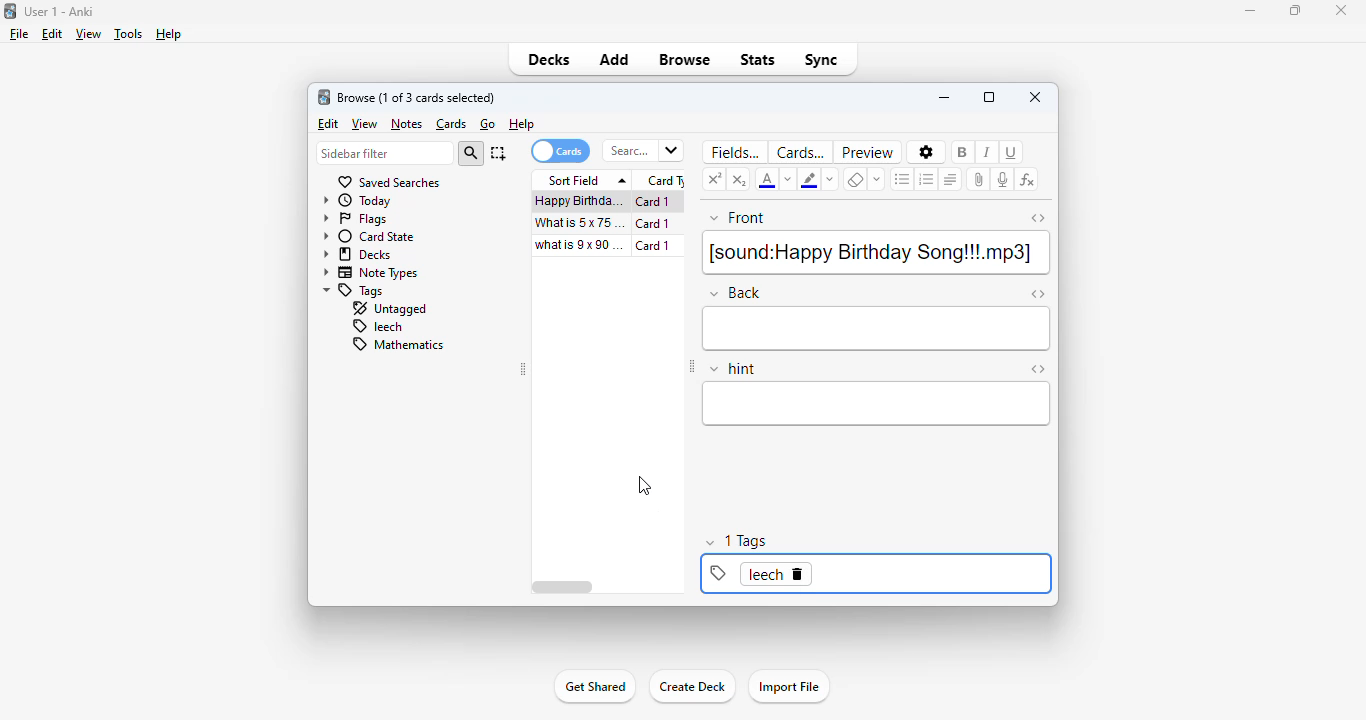 The image size is (1366, 720). What do you see at coordinates (384, 154) in the screenshot?
I see `sidebar filter` at bounding box center [384, 154].